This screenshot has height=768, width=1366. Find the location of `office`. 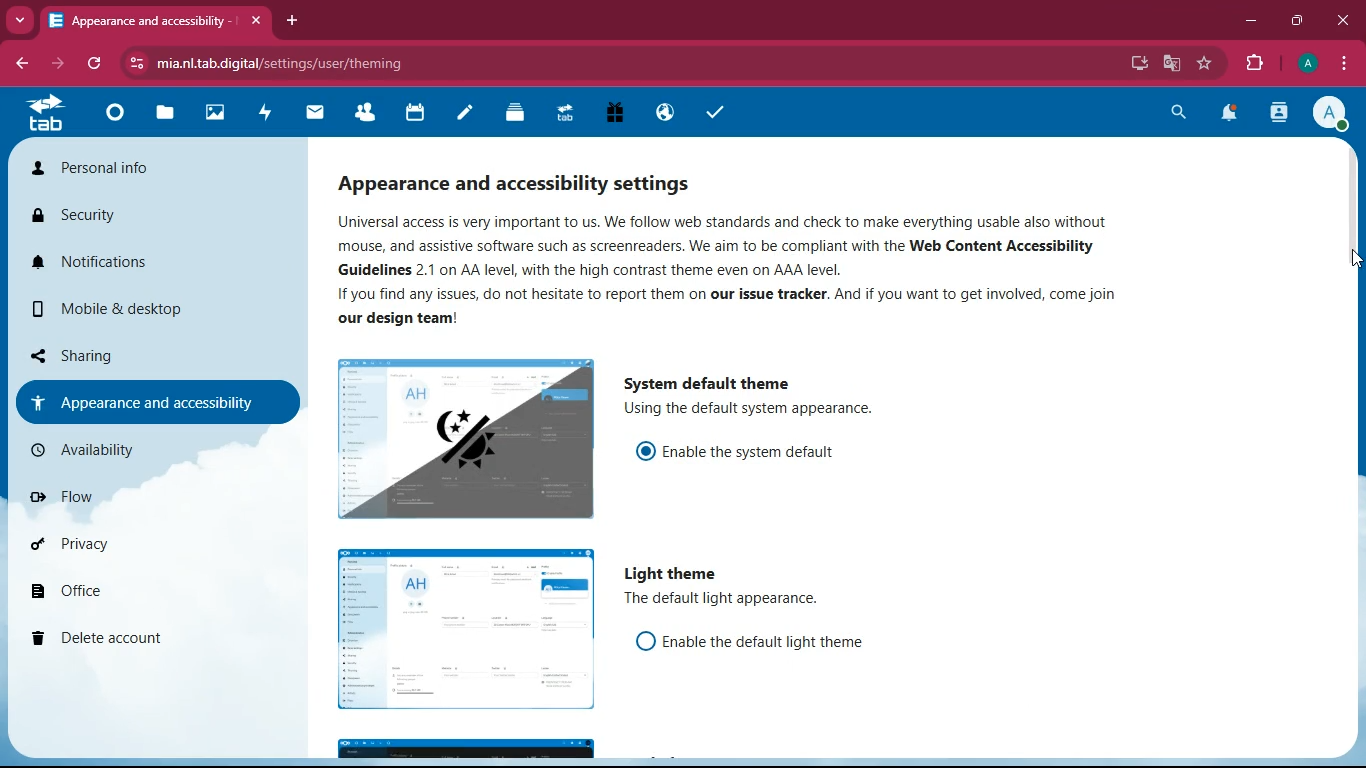

office is located at coordinates (153, 594).